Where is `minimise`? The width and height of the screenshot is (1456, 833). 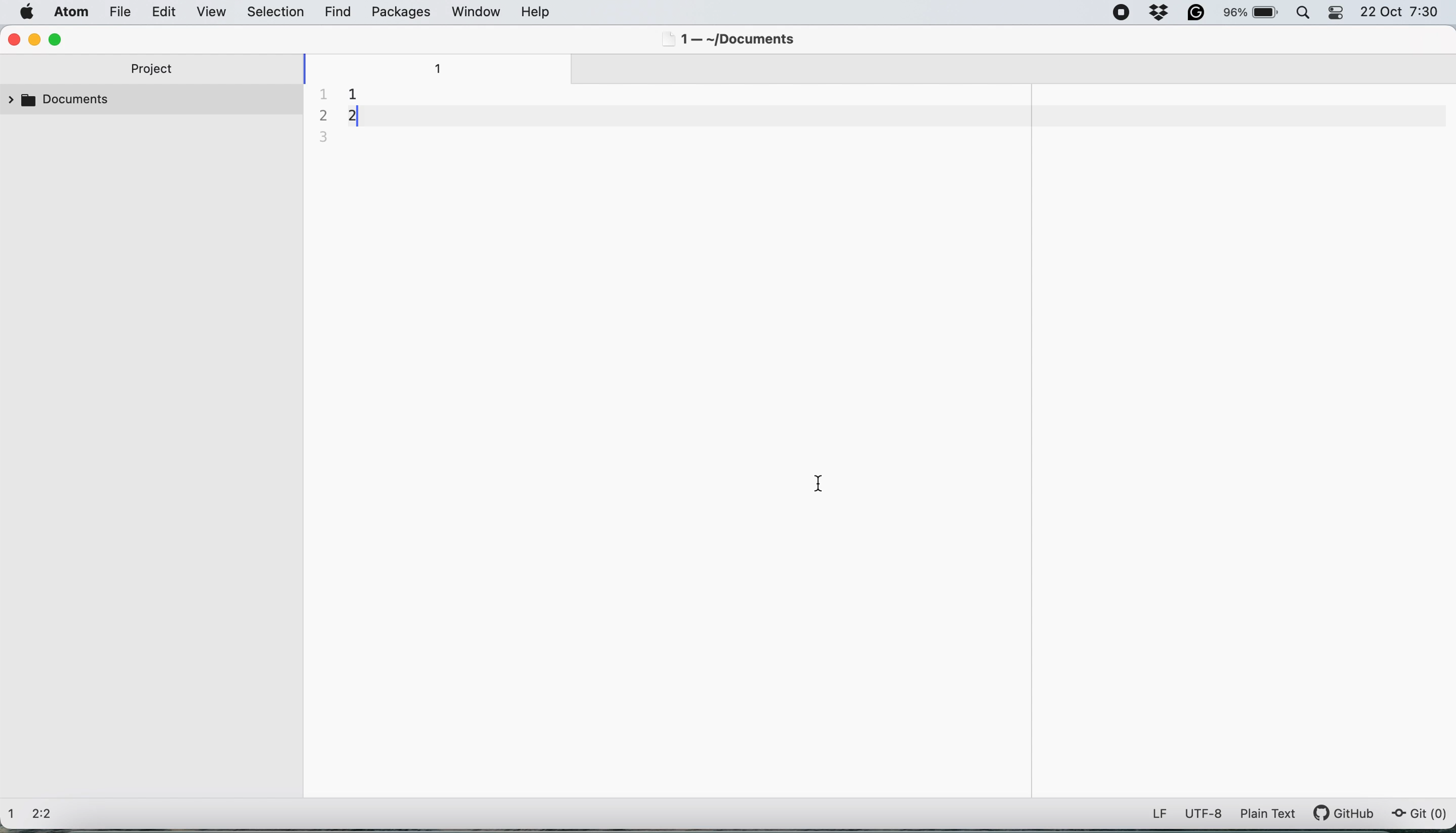 minimise is located at coordinates (34, 39).